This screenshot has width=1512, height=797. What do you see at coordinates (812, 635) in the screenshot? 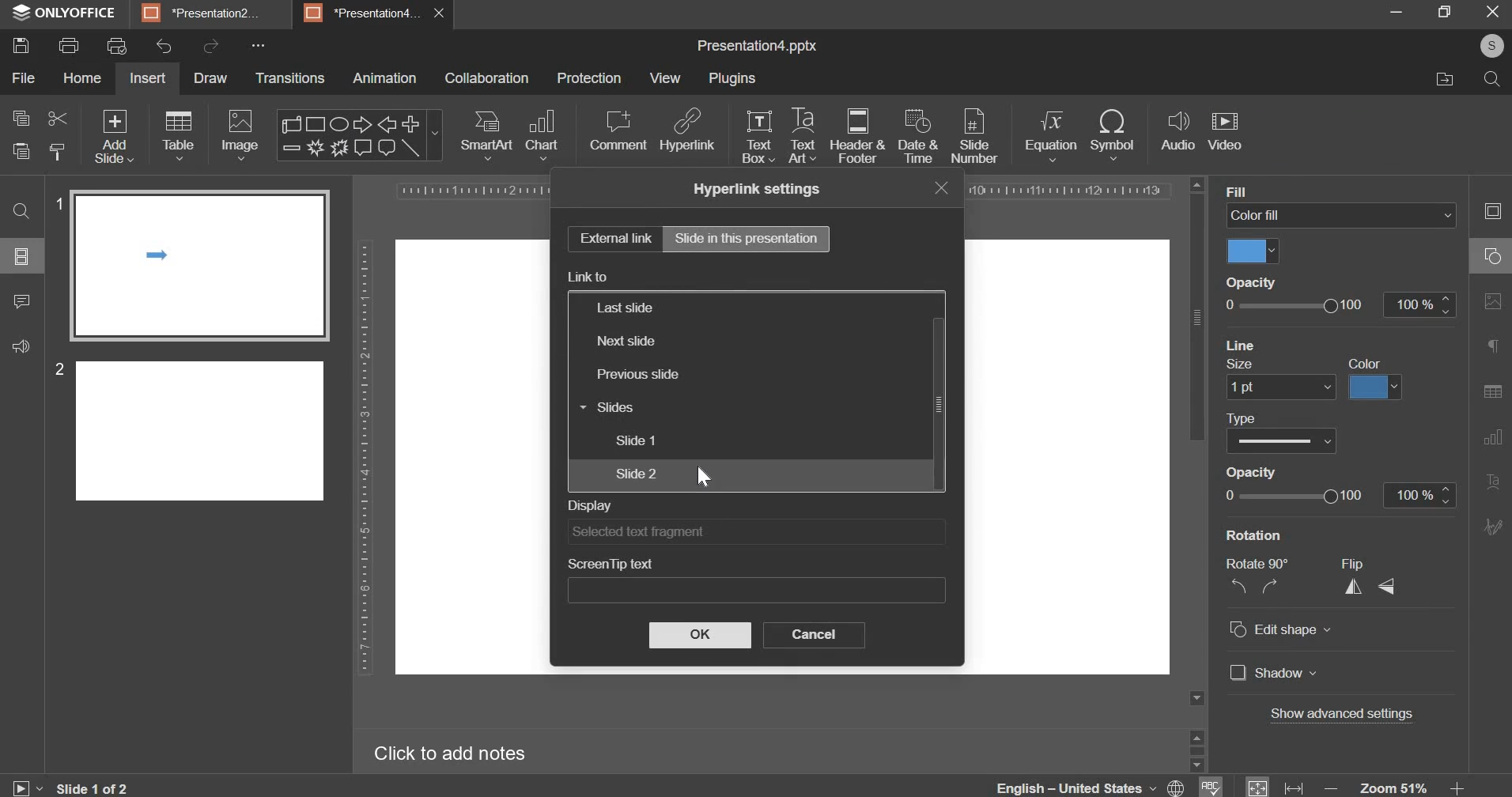
I see `cancel` at bounding box center [812, 635].